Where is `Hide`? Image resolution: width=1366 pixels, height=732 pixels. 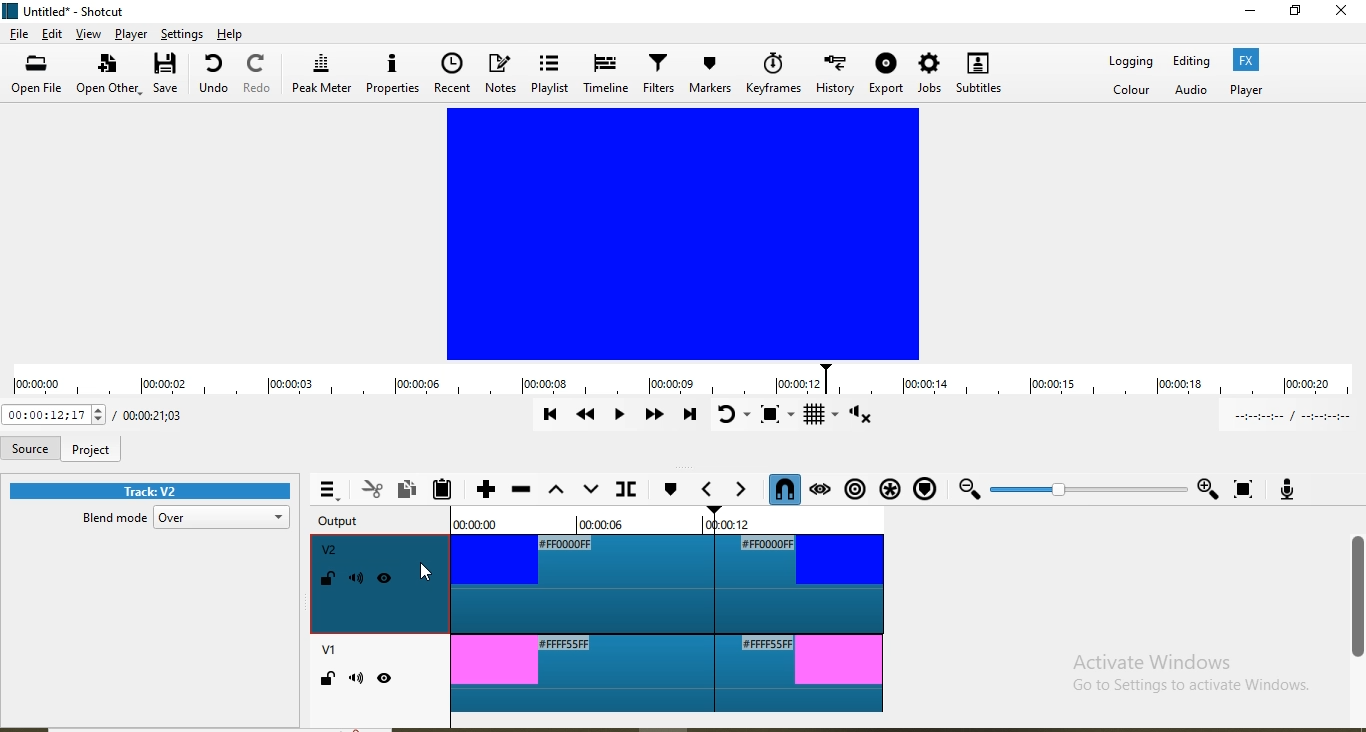 Hide is located at coordinates (386, 681).